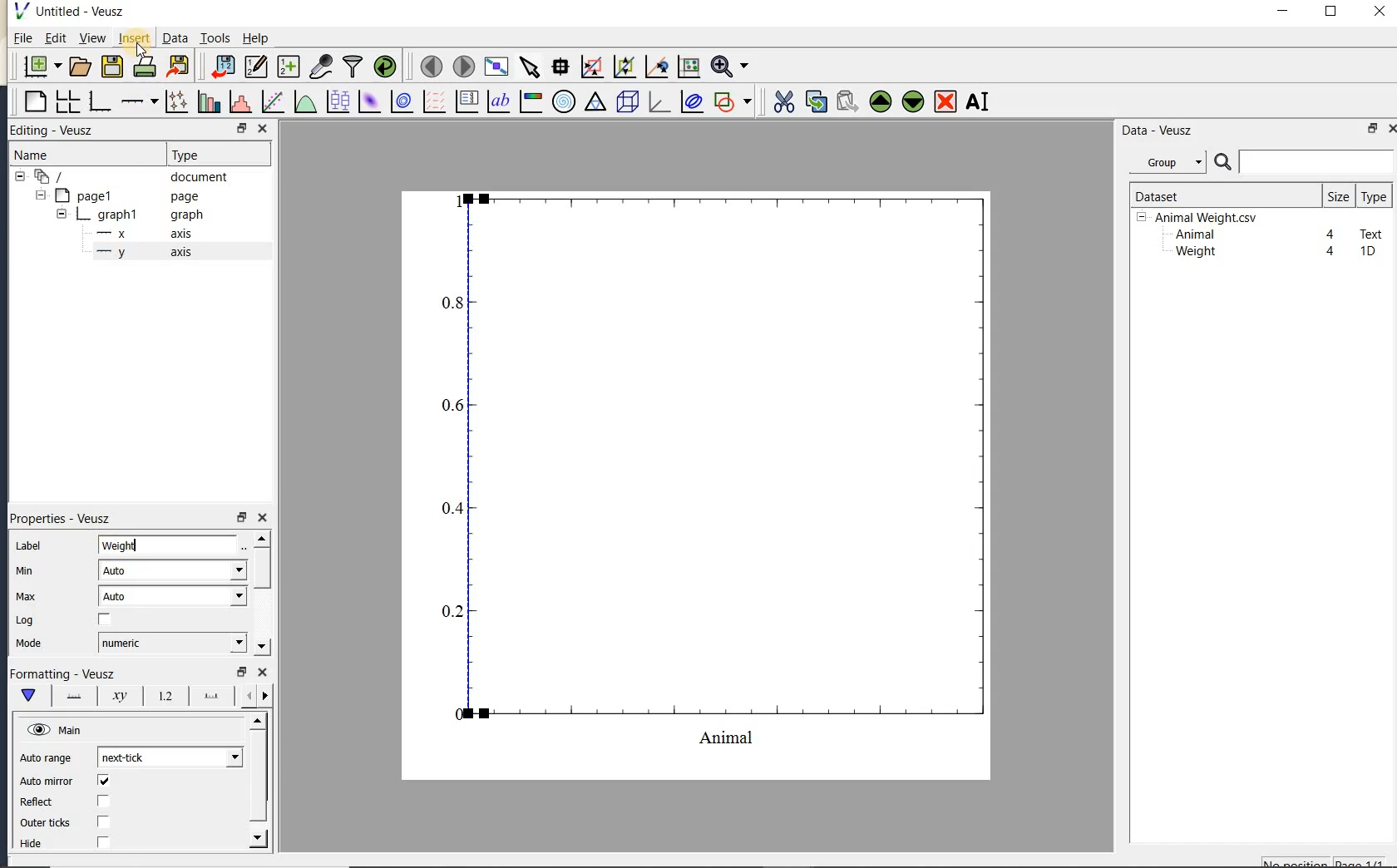 Image resolution: width=1397 pixels, height=868 pixels. Describe the element at coordinates (239, 126) in the screenshot. I see `RESTORE` at that location.